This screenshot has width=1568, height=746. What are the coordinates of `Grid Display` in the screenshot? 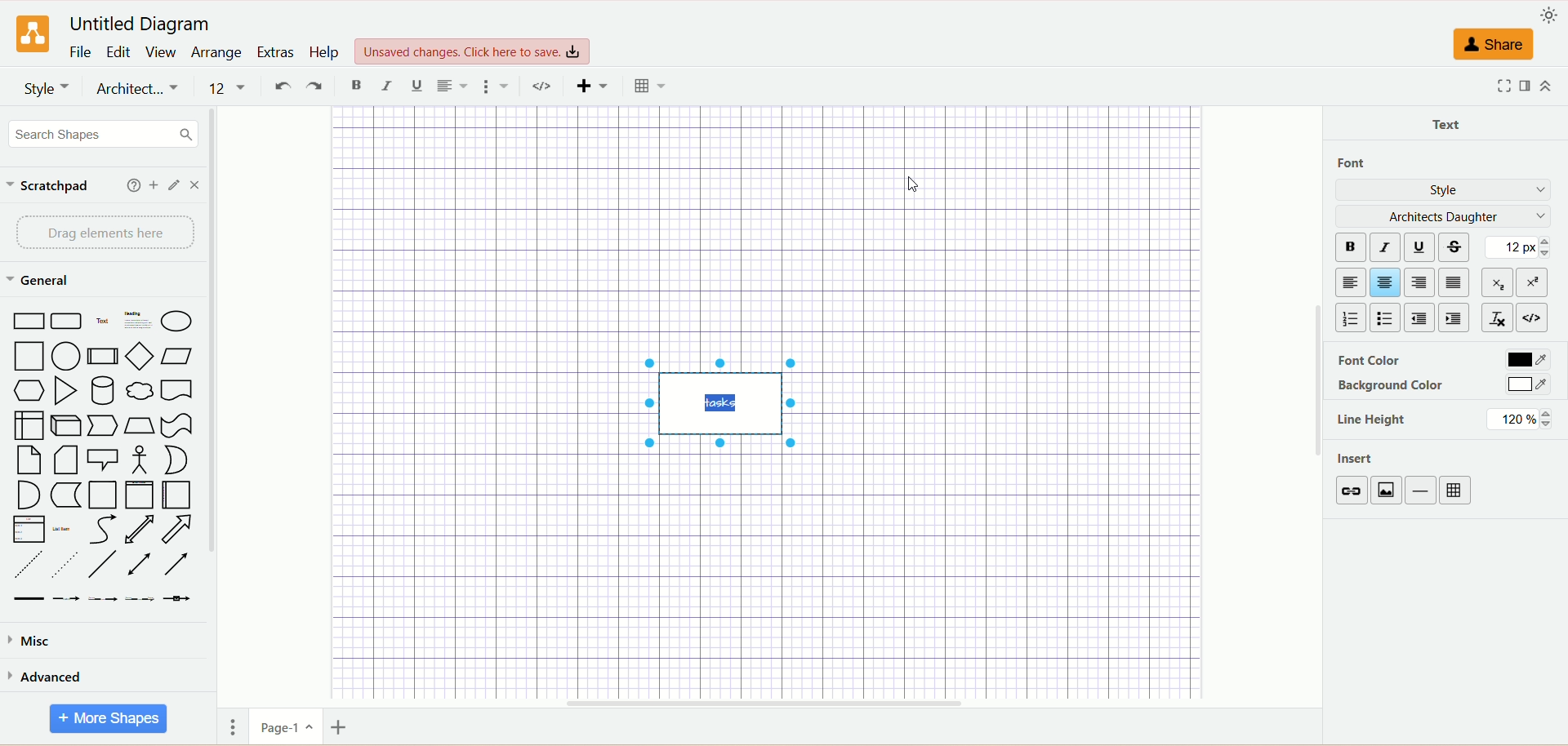 It's located at (650, 87).